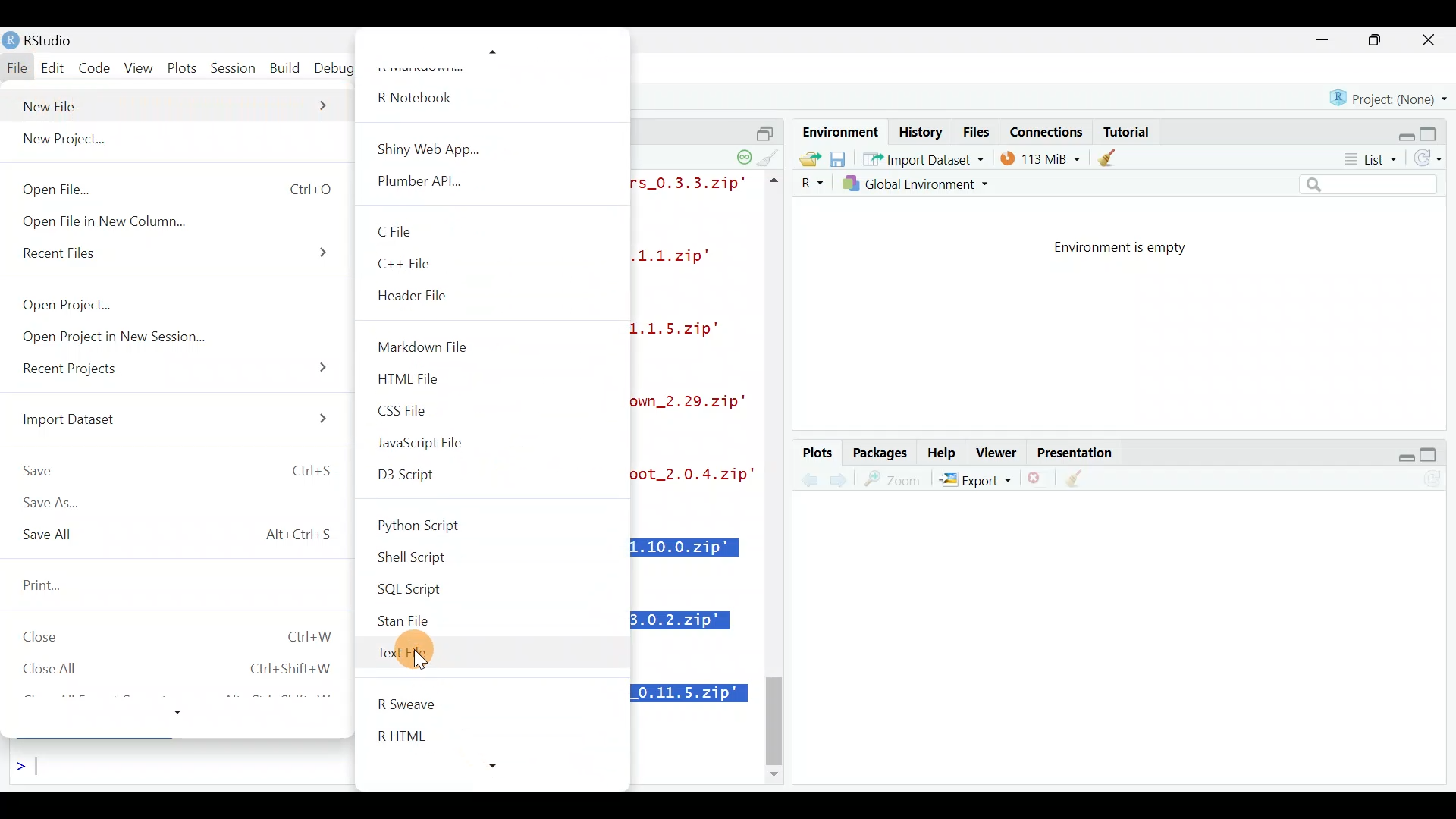  Describe the element at coordinates (177, 256) in the screenshot. I see `Recent Files` at that location.